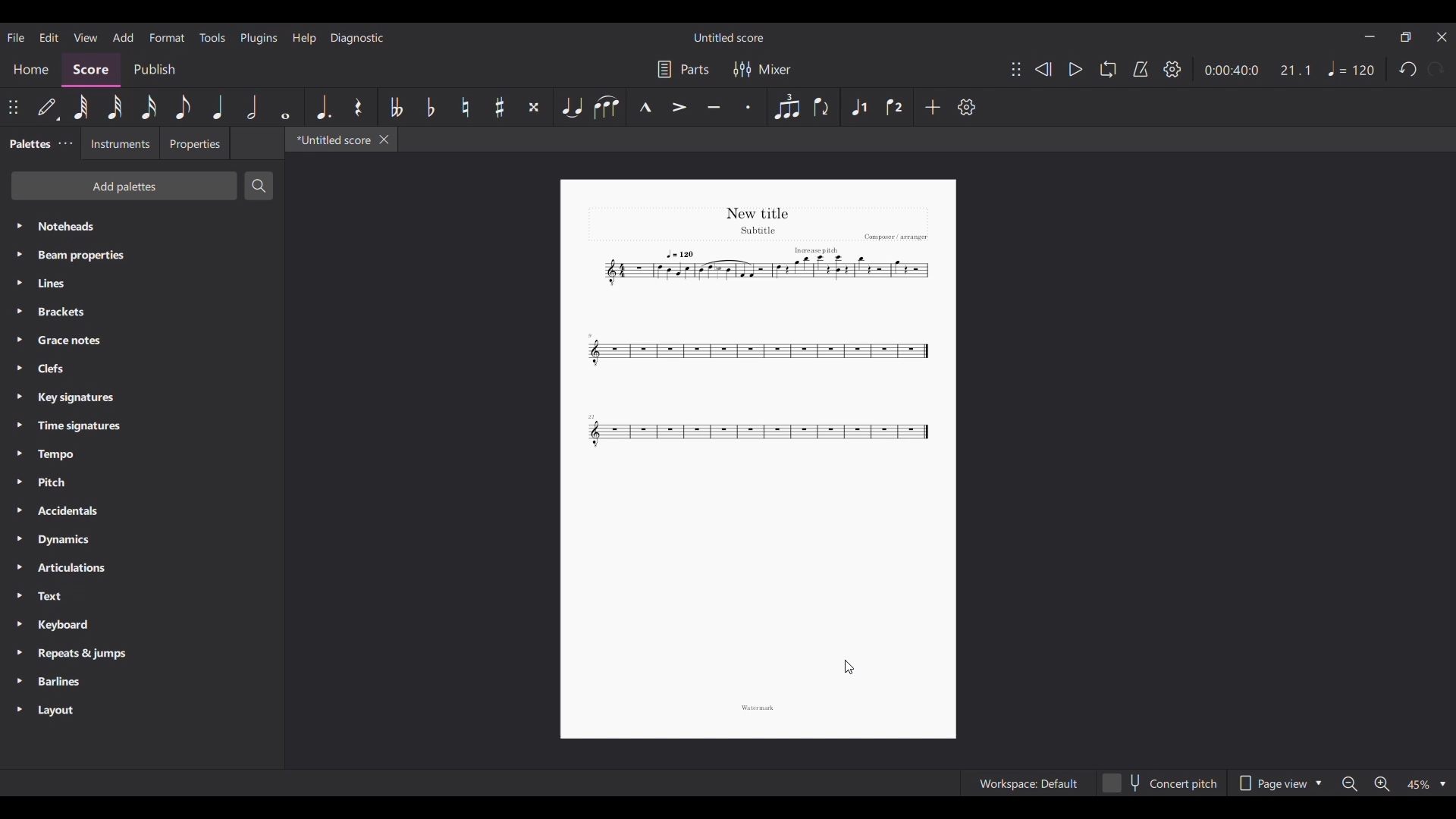 The width and height of the screenshot is (1456, 819). What do you see at coordinates (143, 682) in the screenshot?
I see `Barlines` at bounding box center [143, 682].